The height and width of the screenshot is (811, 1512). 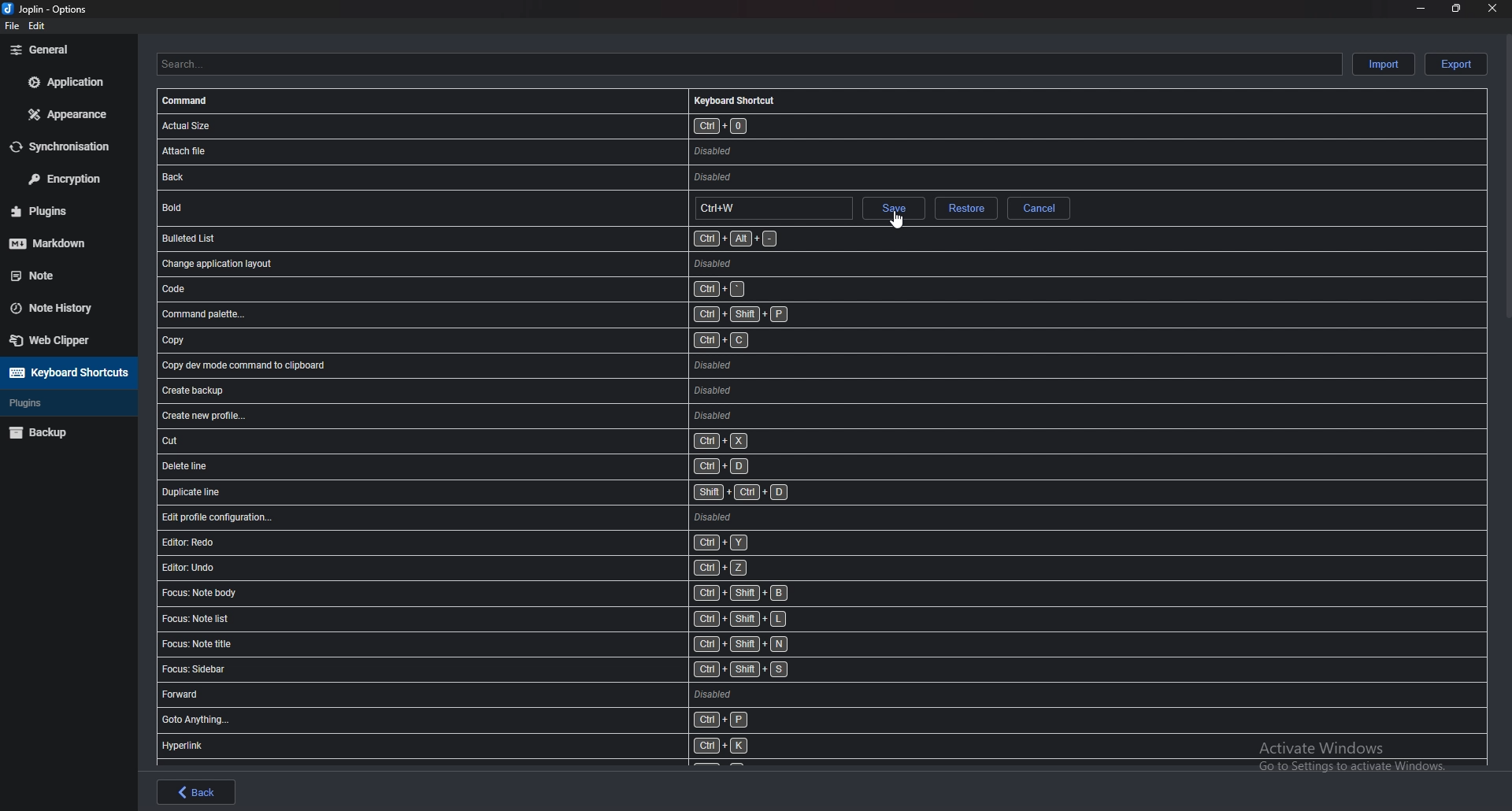 I want to click on Note history, so click(x=65, y=308).